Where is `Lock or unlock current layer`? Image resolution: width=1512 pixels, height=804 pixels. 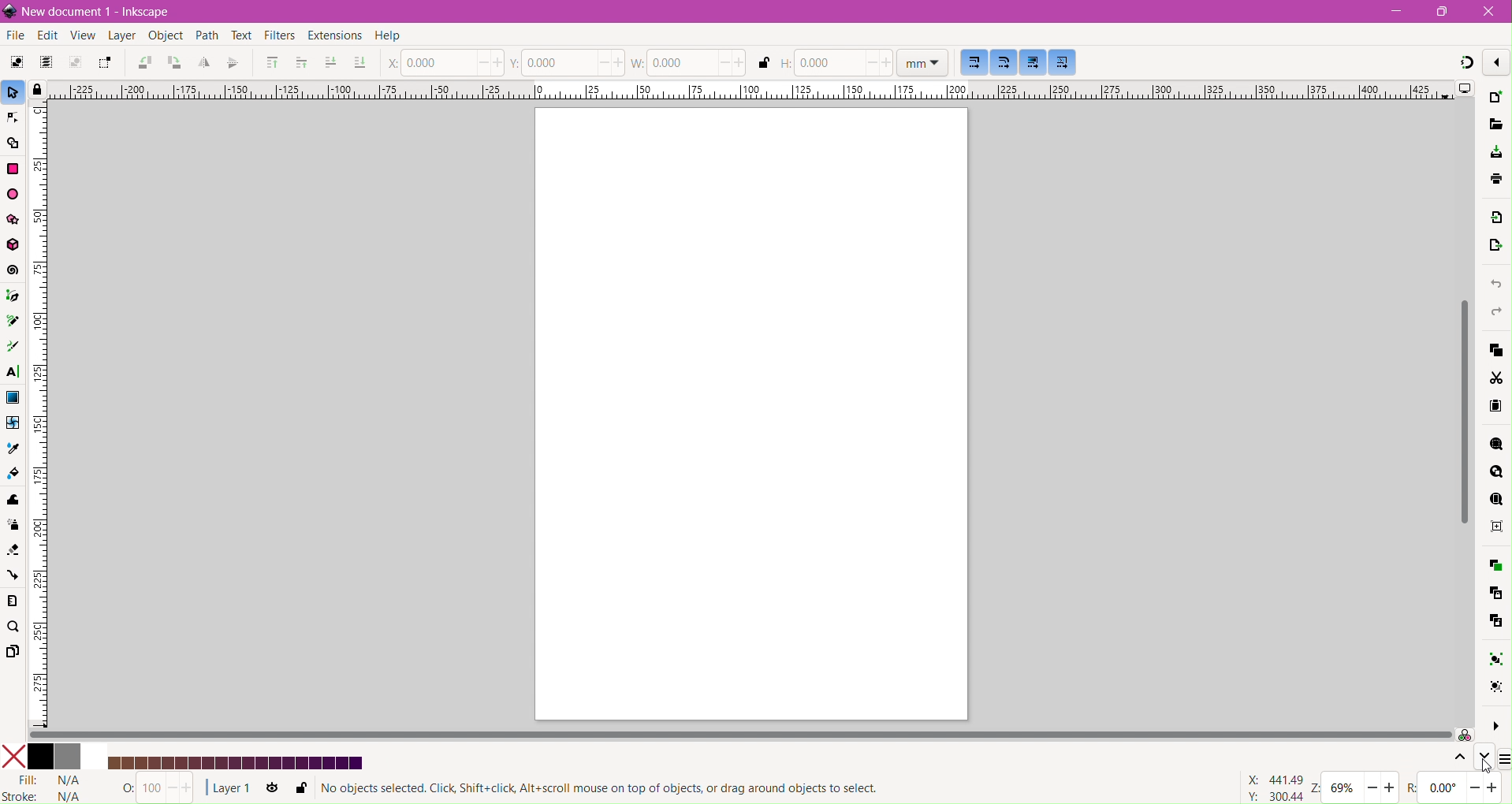
Lock or unlock current layer is located at coordinates (300, 789).